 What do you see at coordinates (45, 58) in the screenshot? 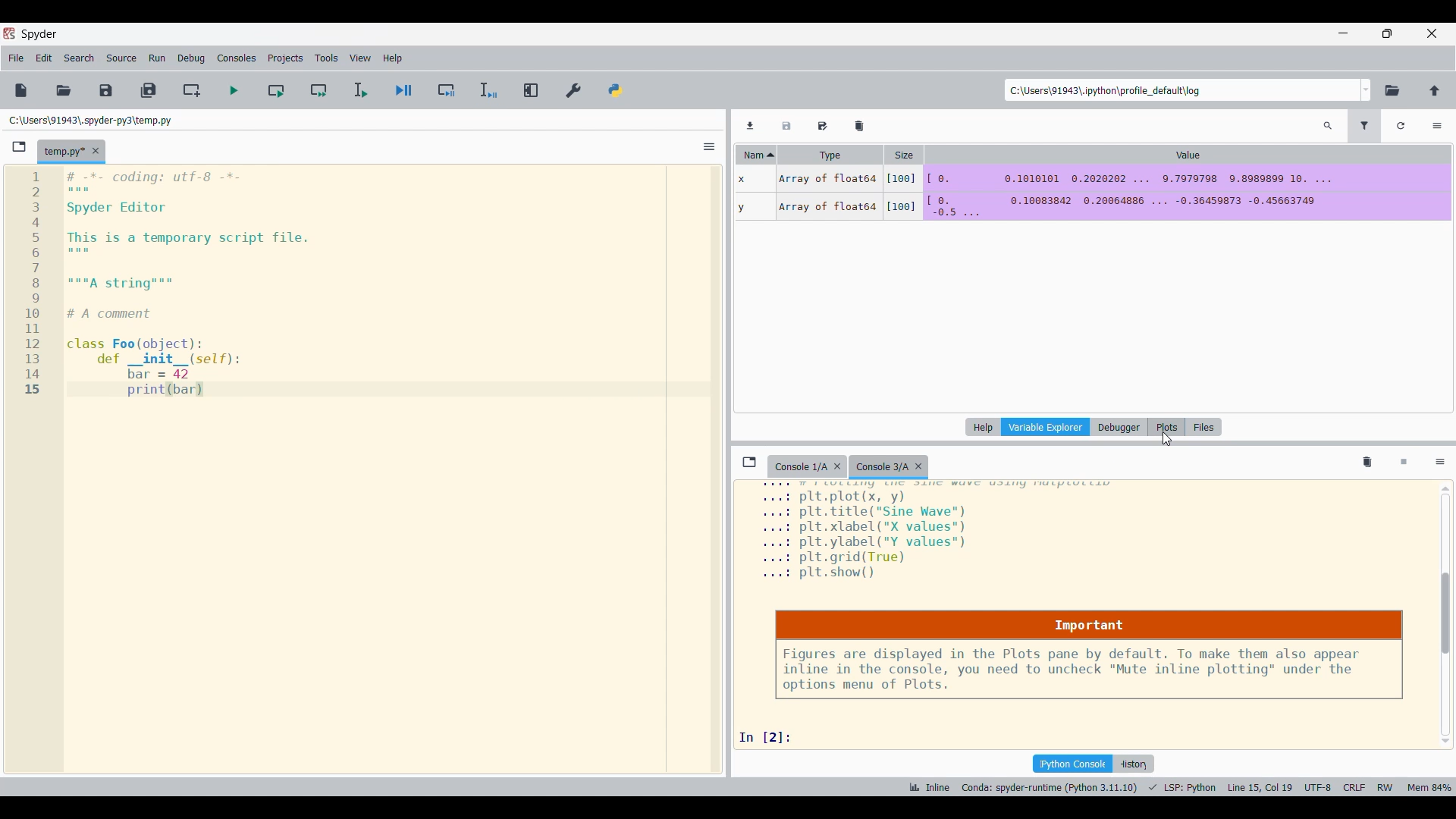
I see `Edit menu` at bounding box center [45, 58].